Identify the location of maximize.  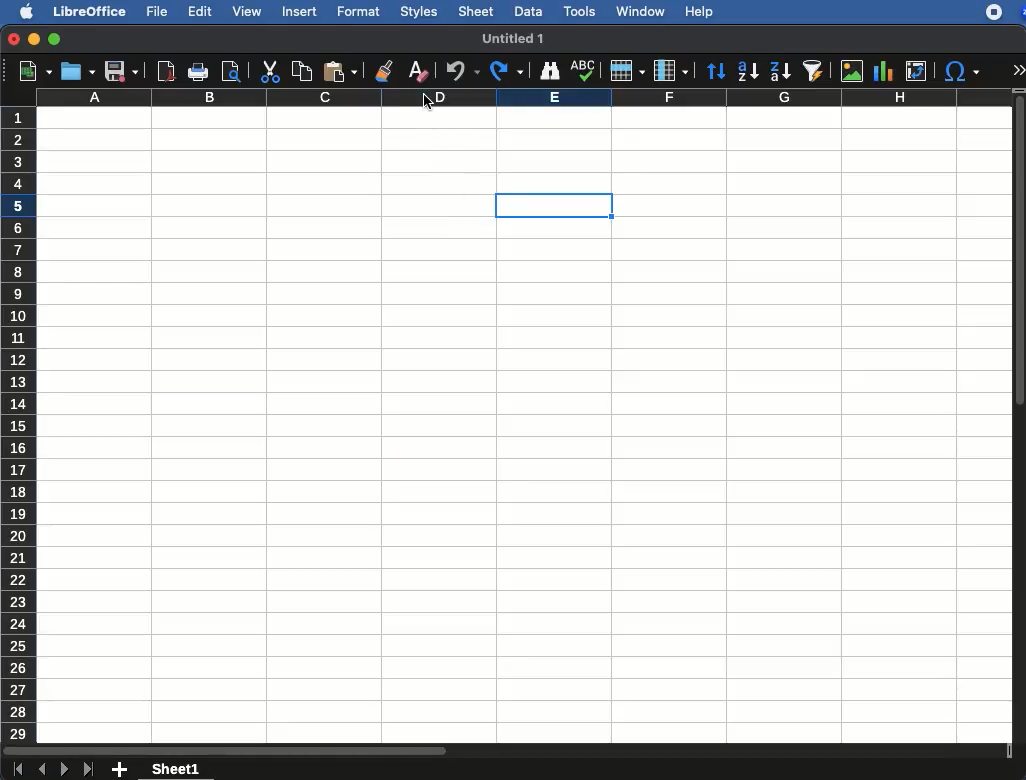
(56, 40).